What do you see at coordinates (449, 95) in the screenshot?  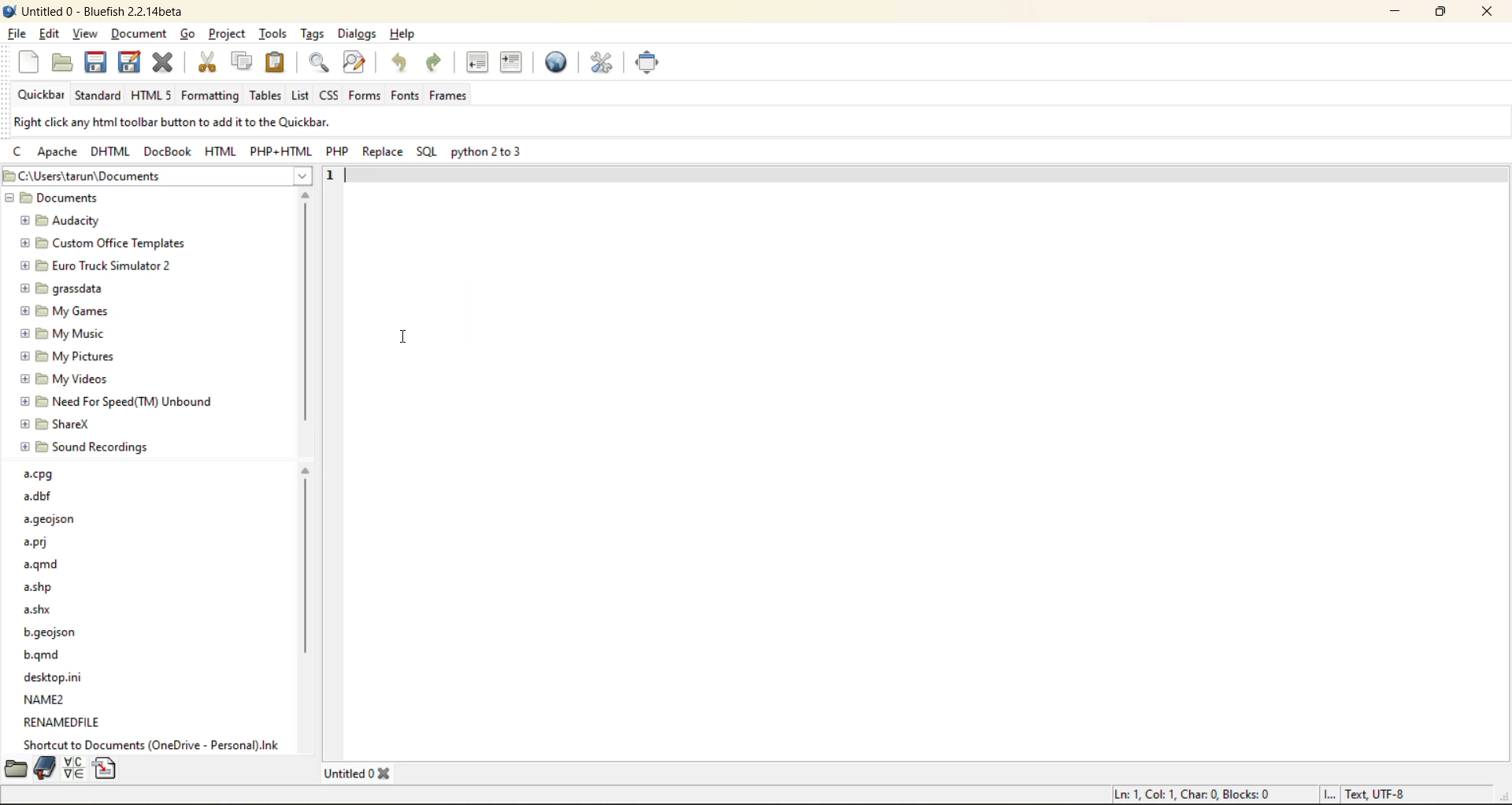 I see `frames` at bounding box center [449, 95].